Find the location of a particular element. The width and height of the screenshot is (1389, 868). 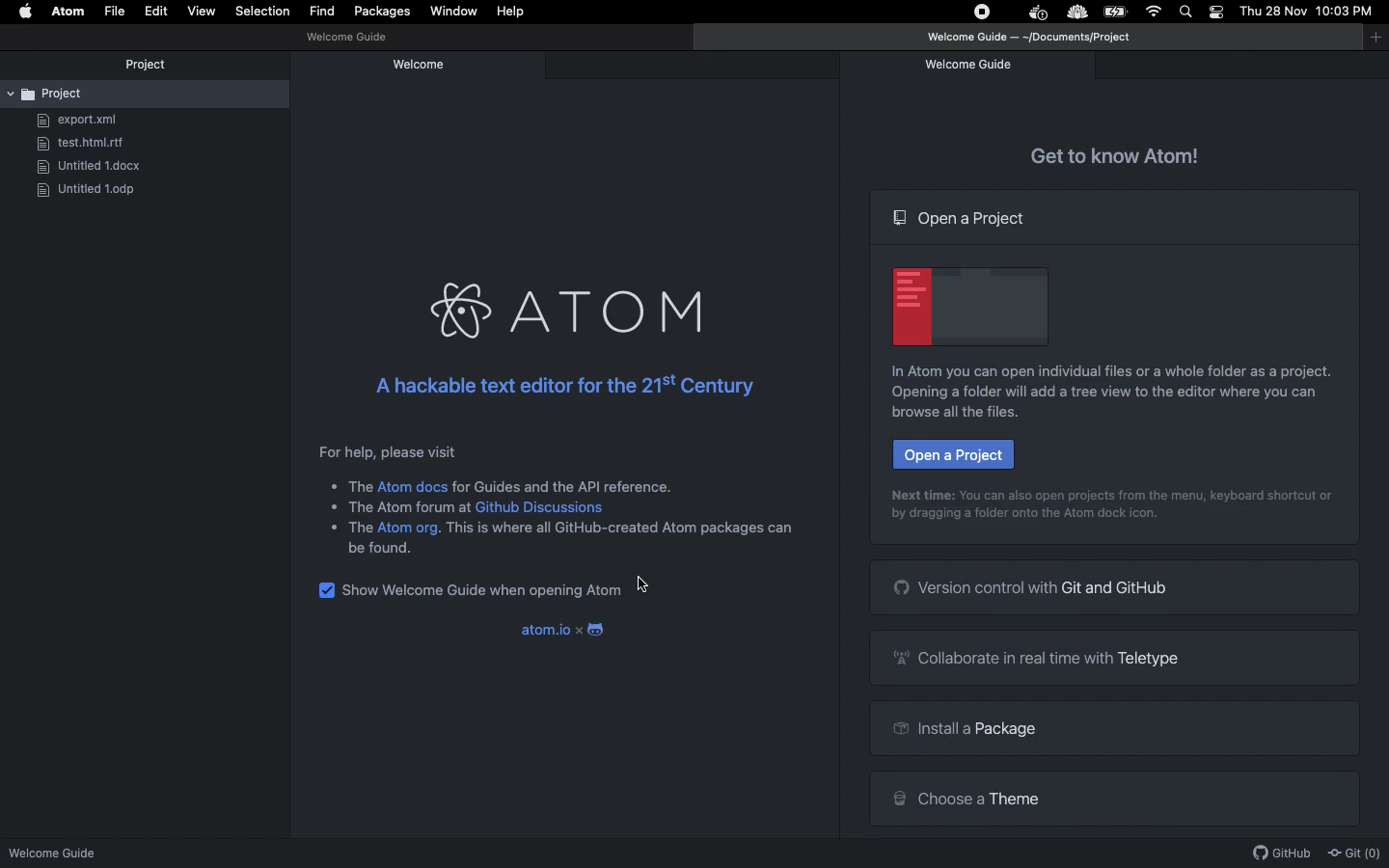

Welcome guide is located at coordinates (429, 65).